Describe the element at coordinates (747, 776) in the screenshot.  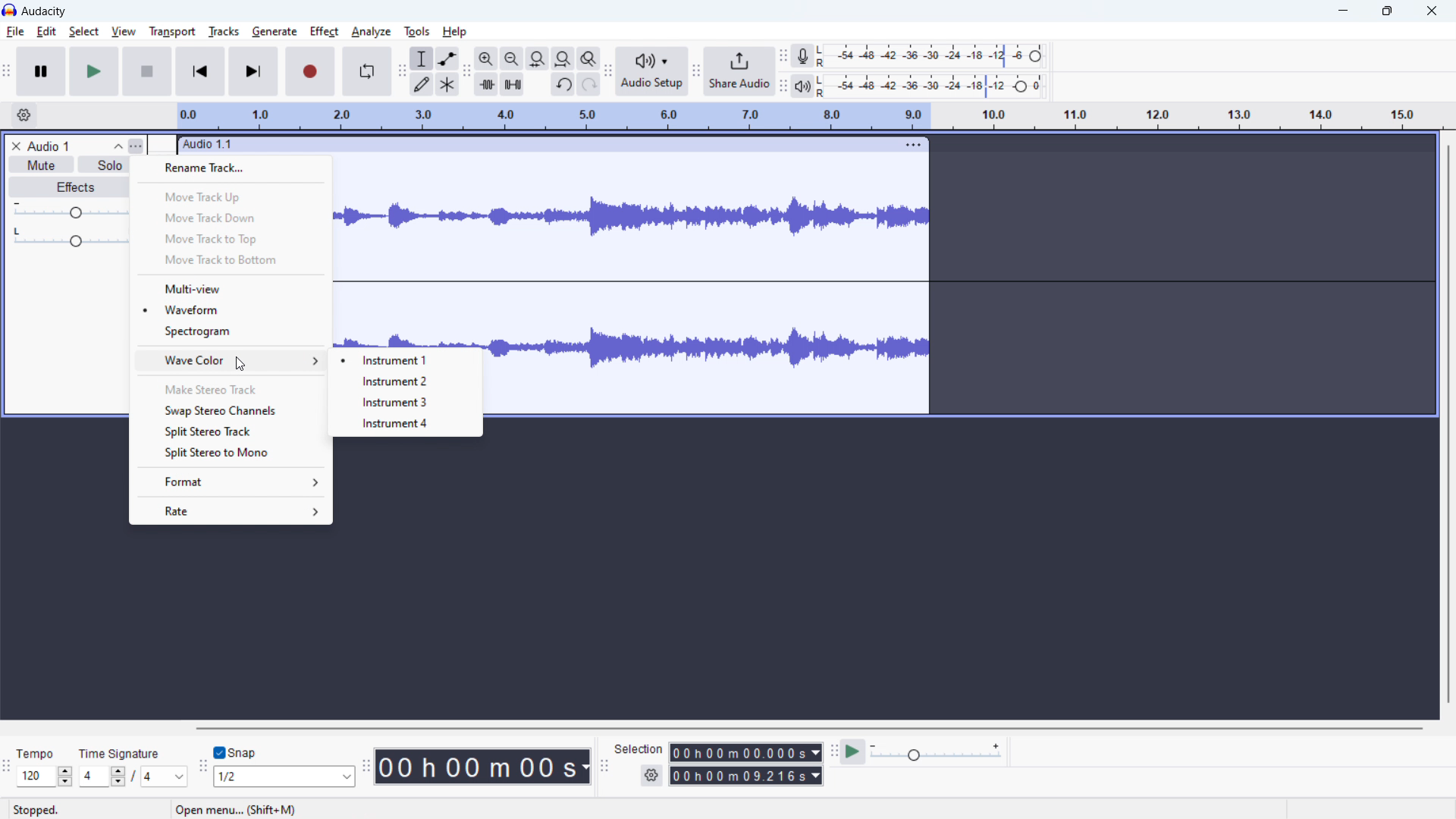
I see `end time` at that location.